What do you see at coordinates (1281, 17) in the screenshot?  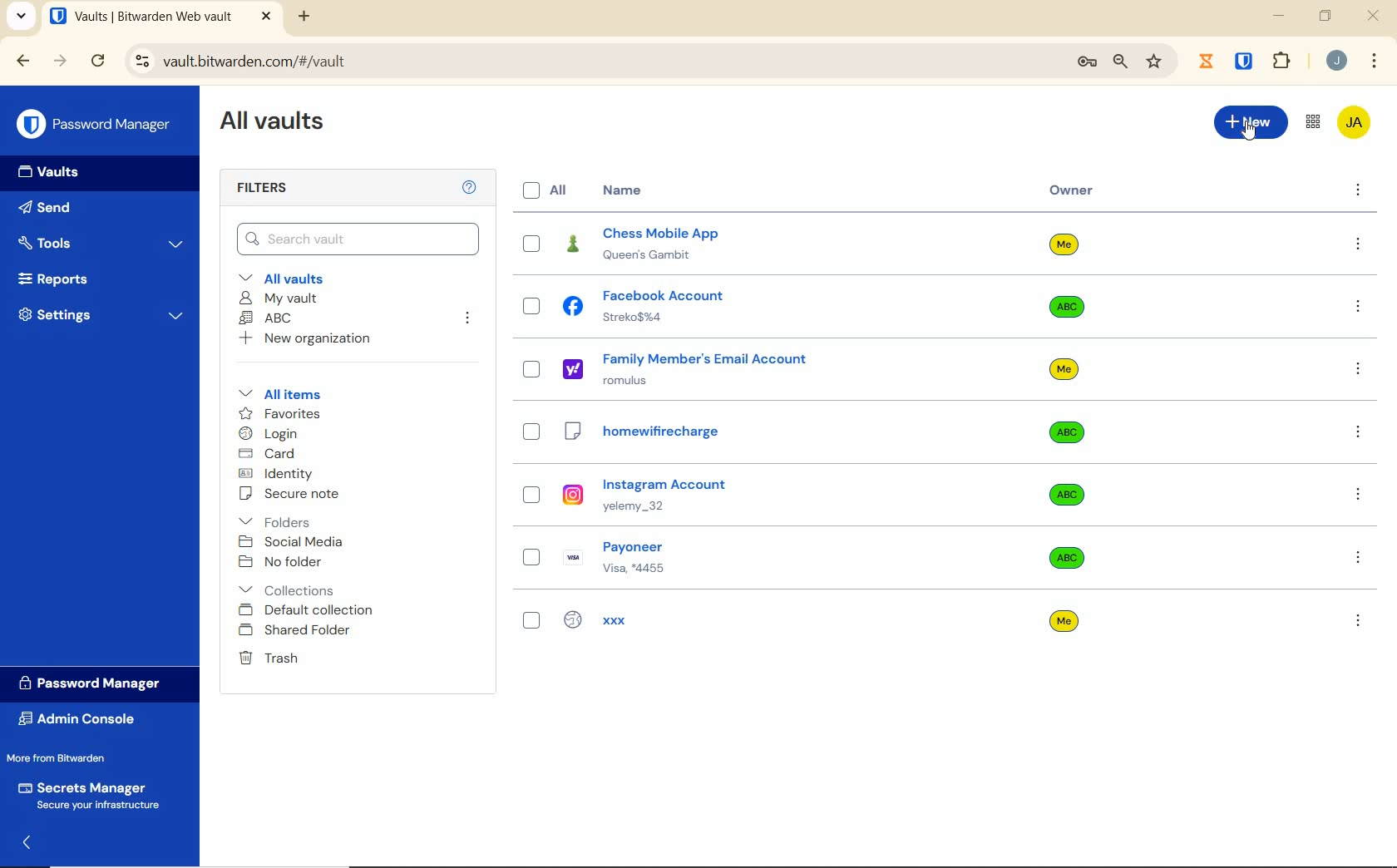 I see `MINIMIZE` at bounding box center [1281, 17].